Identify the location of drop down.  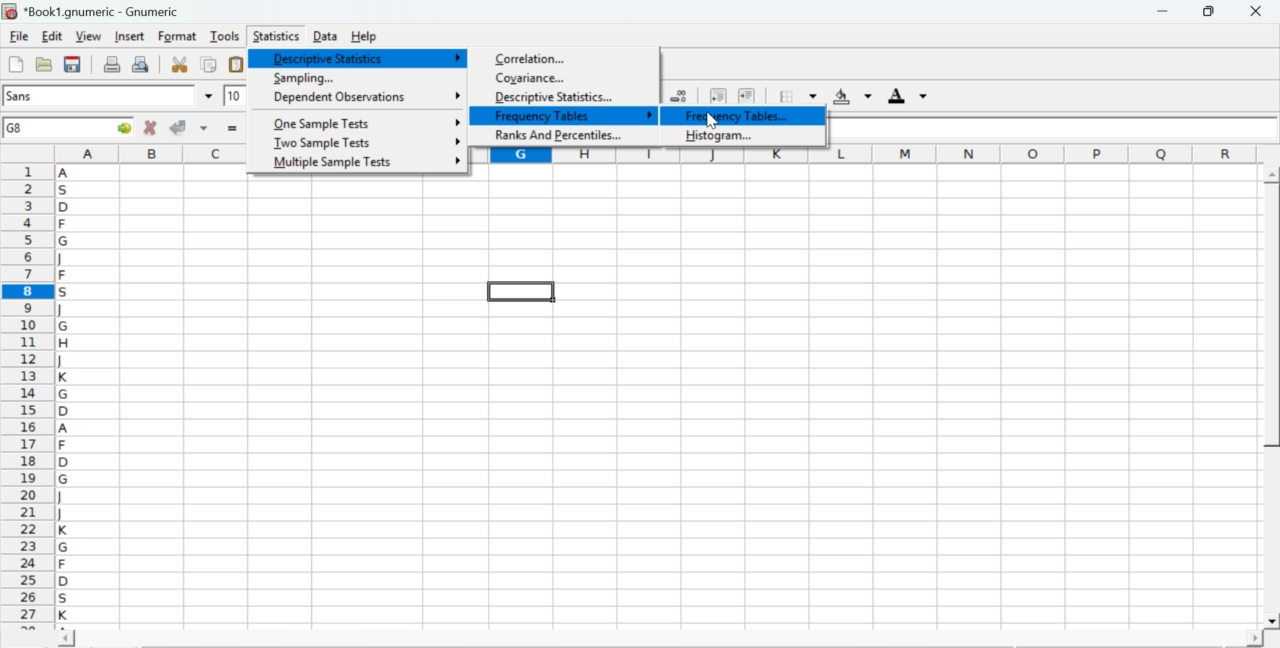
(210, 96).